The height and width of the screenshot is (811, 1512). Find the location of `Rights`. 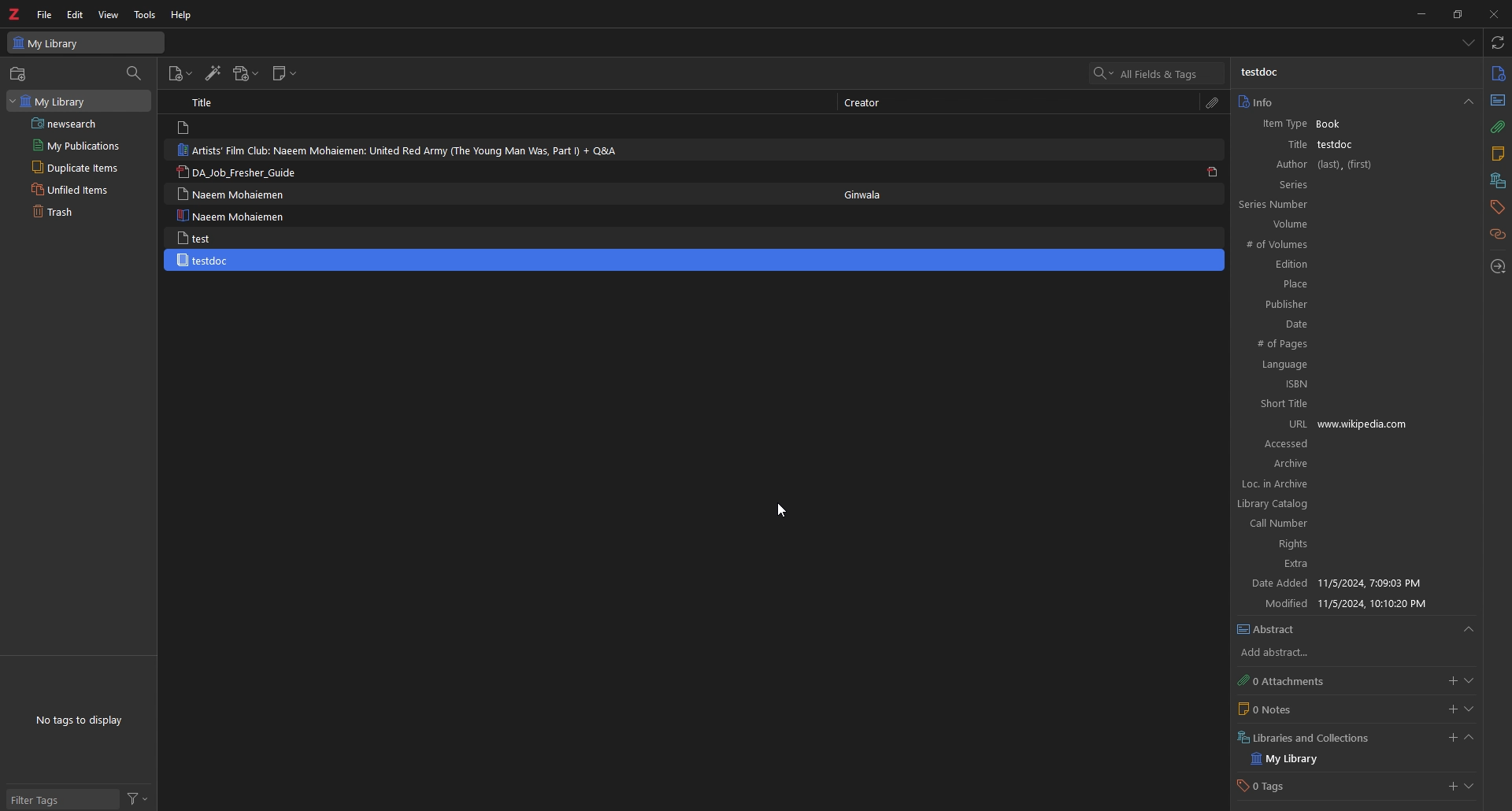

Rights is located at coordinates (1347, 546).